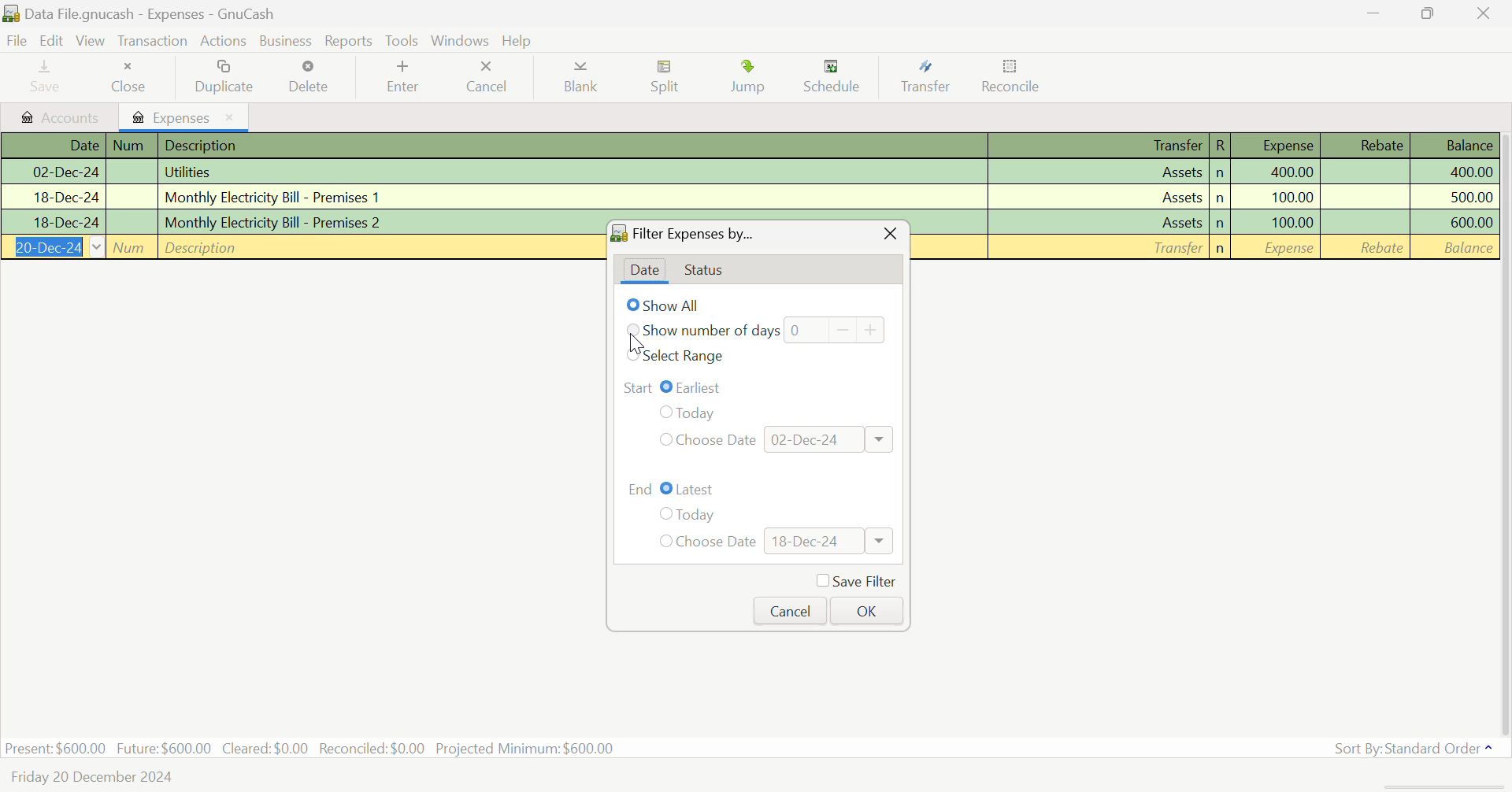  What do you see at coordinates (1452, 224) in the screenshot?
I see `Amount` at bounding box center [1452, 224].